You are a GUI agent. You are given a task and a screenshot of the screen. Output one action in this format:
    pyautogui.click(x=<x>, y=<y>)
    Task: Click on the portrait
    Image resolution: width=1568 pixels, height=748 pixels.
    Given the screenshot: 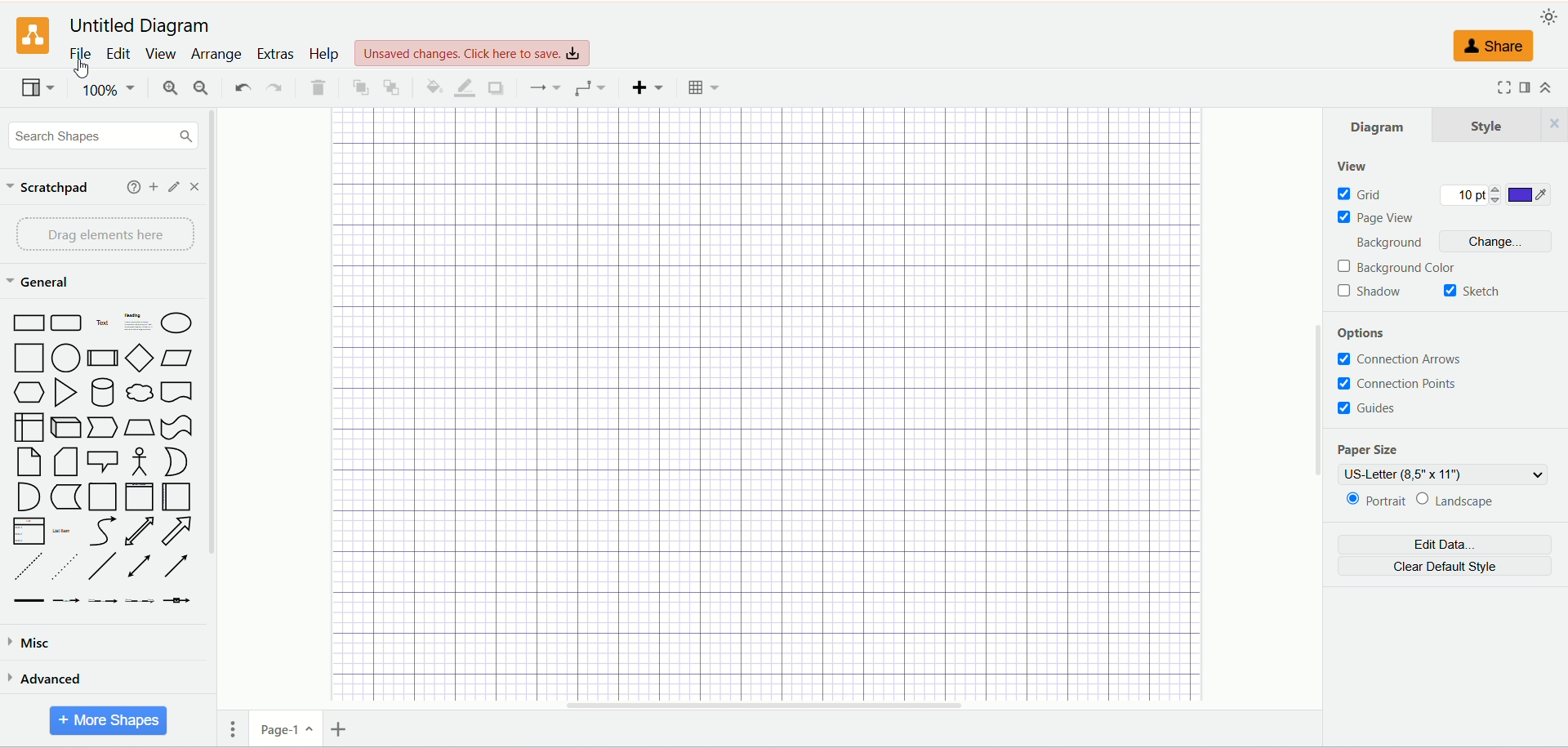 What is the action you would take?
    pyautogui.click(x=1375, y=502)
    